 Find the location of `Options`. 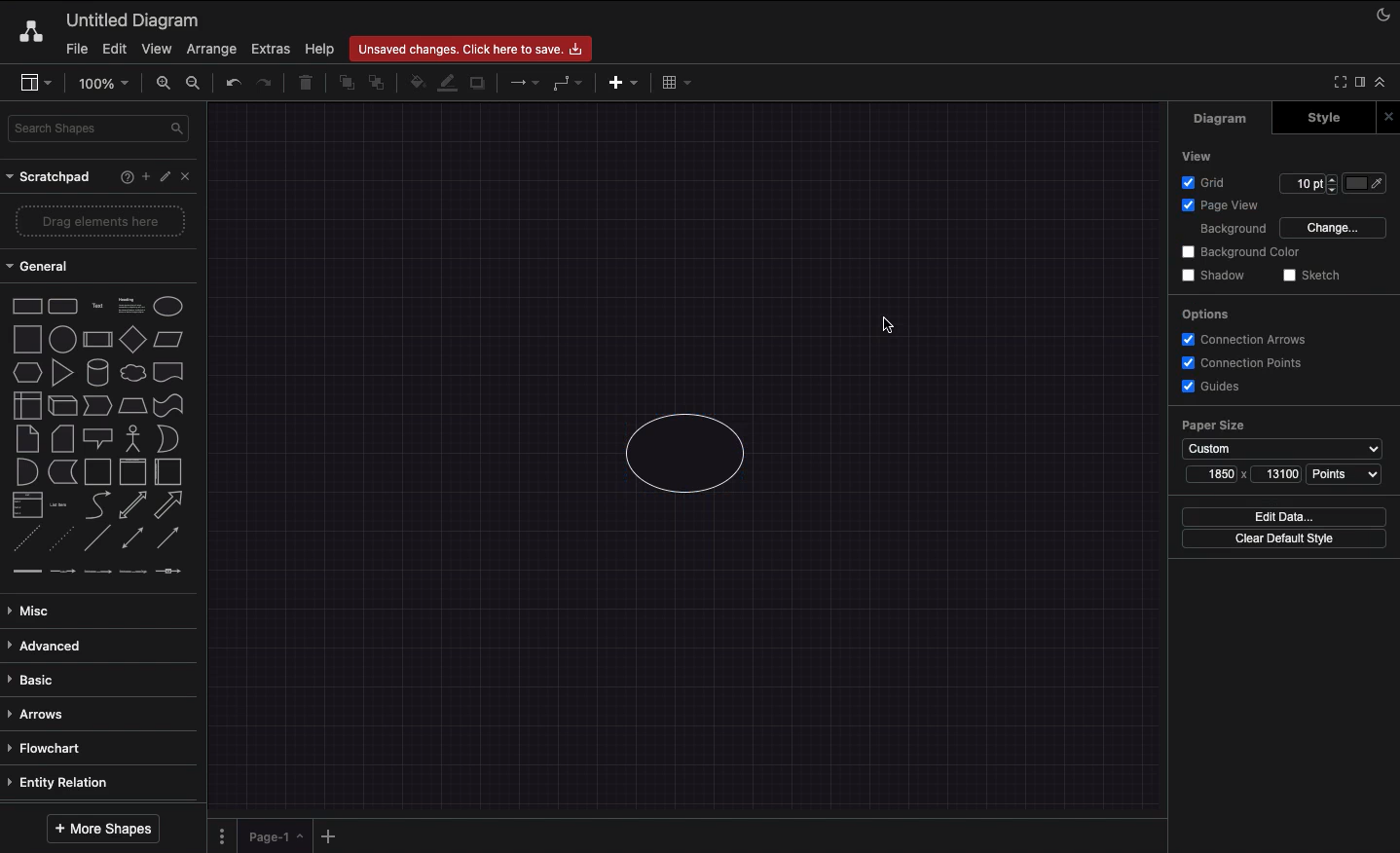

Options is located at coordinates (1203, 314).